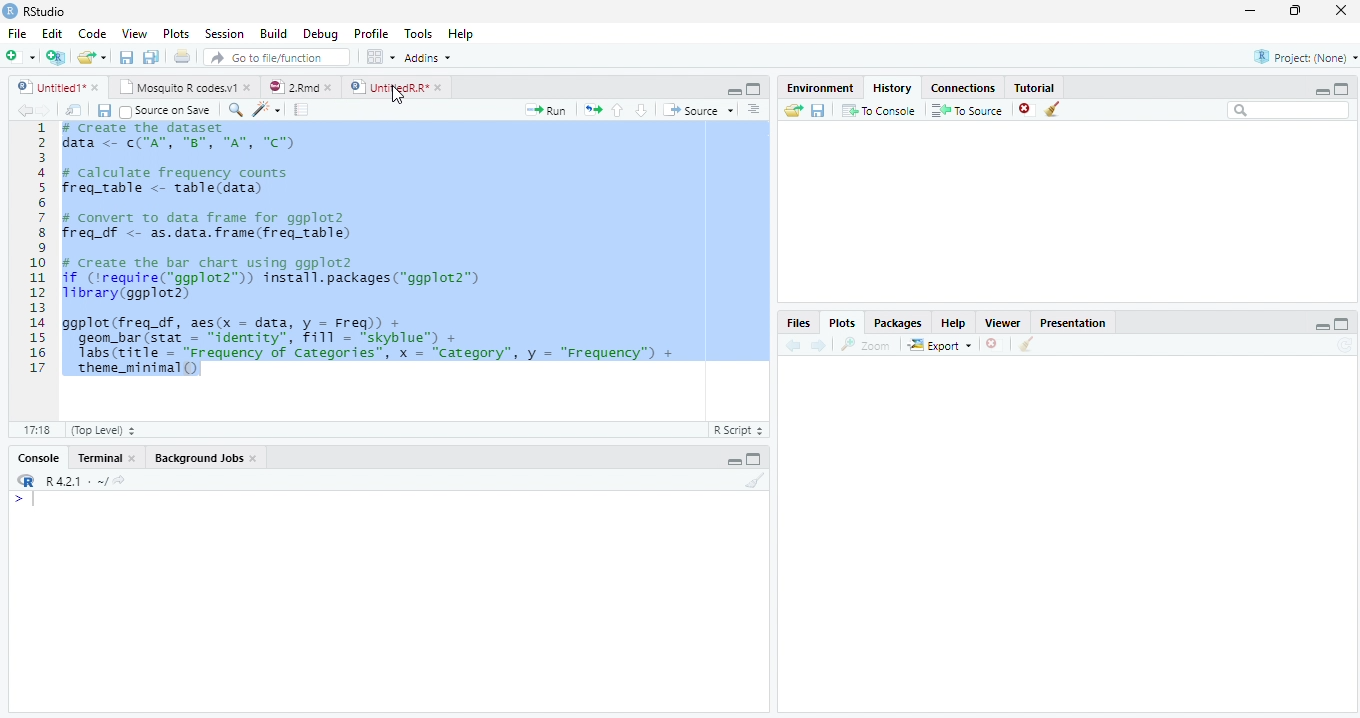  I want to click on Minimize, so click(731, 90).